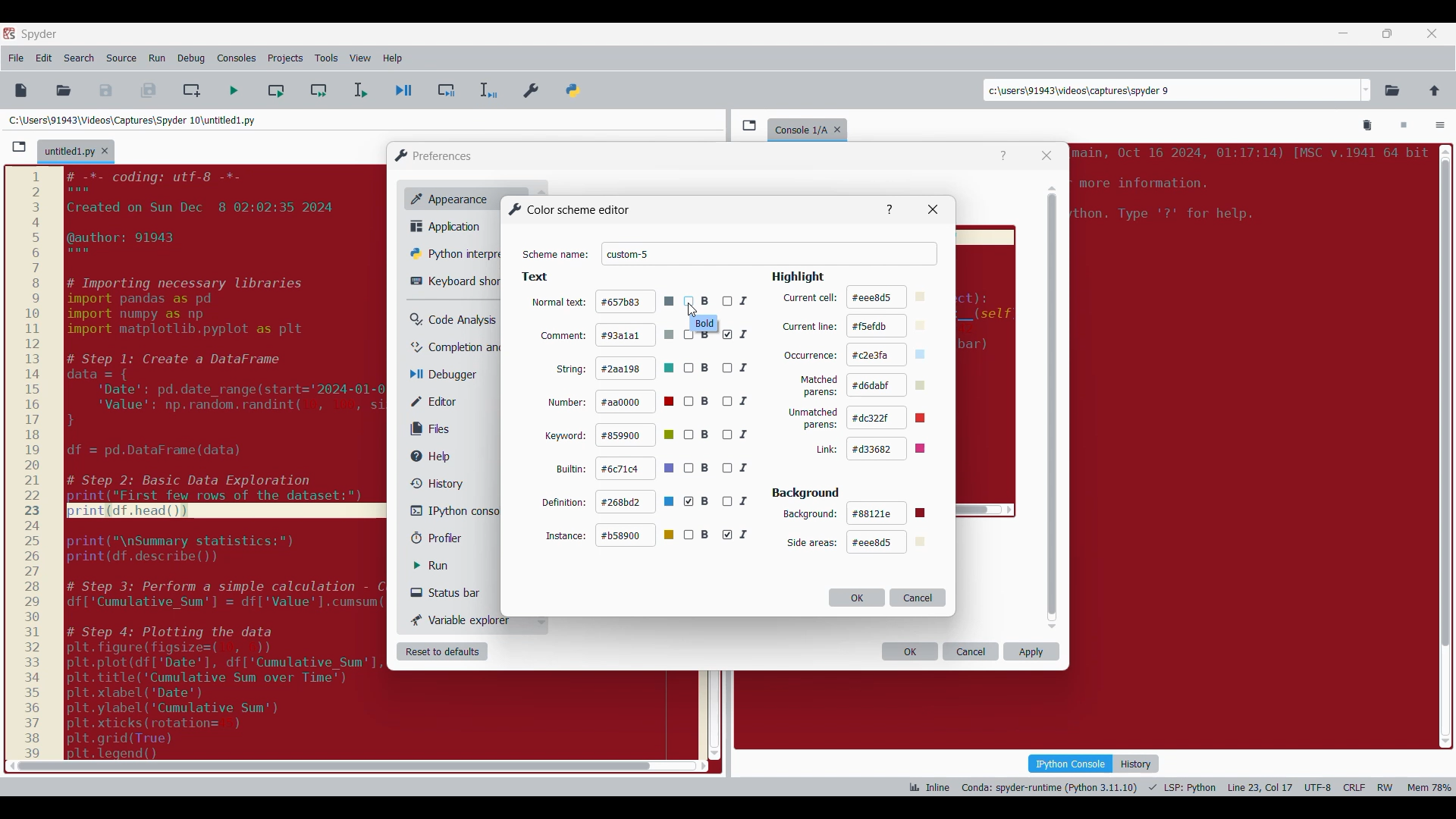 This screenshot has height=819, width=1456. What do you see at coordinates (841, 127) in the screenshot?
I see `Close tab` at bounding box center [841, 127].